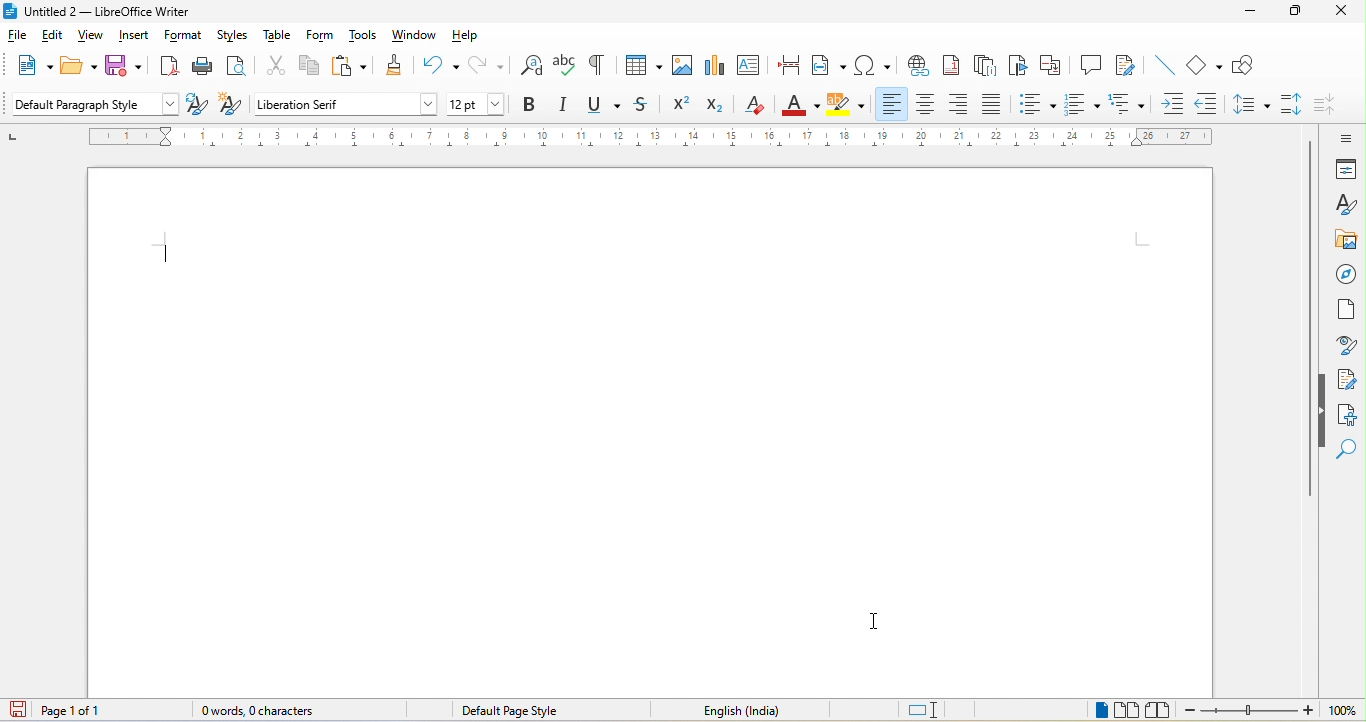 The height and width of the screenshot is (722, 1366). What do you see at coordinates (272, 70) in the screenshot?
I see `cut` at bounding box center [272, 70].